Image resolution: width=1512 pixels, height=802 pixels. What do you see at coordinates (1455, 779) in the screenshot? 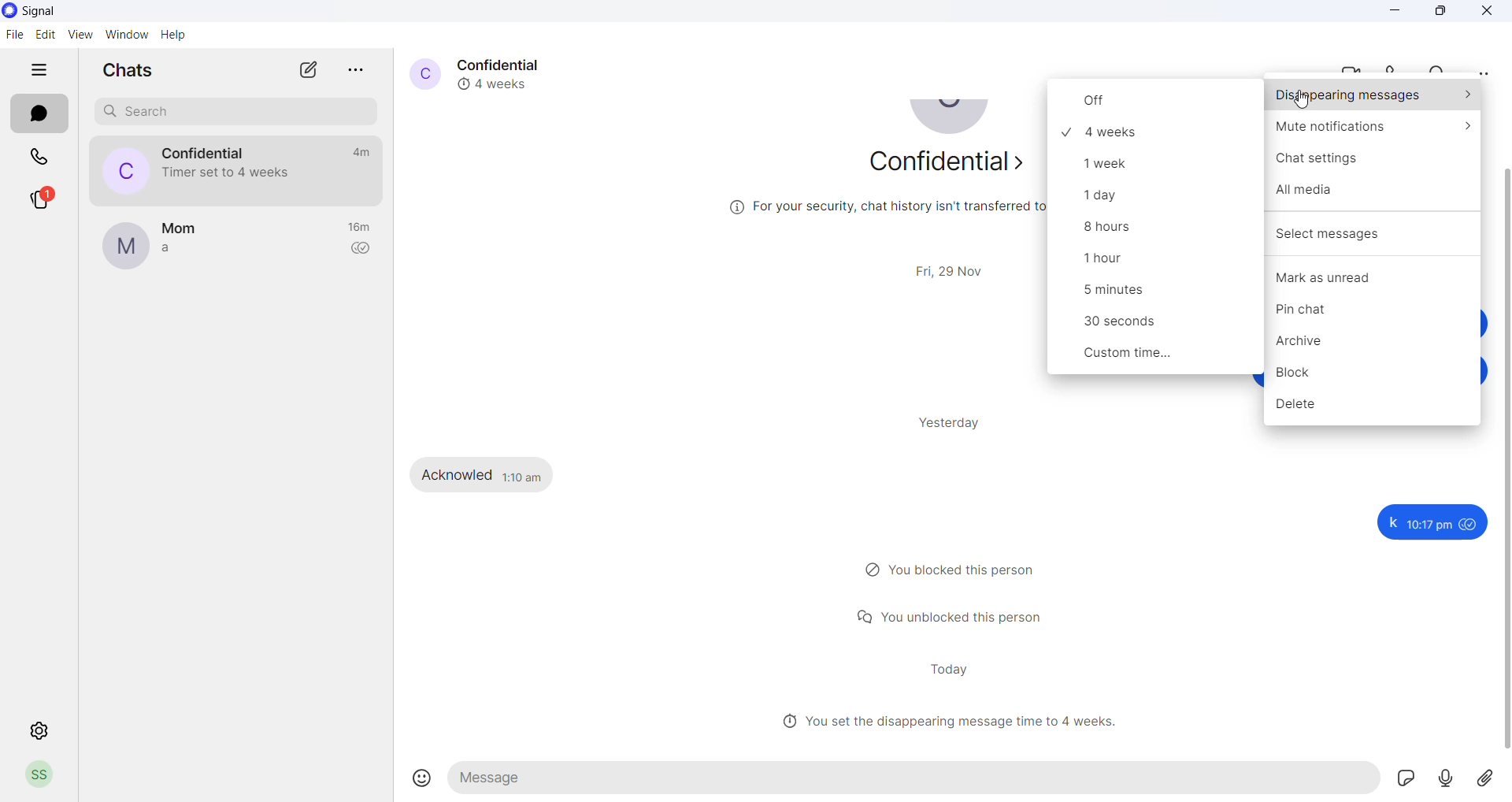
I see `voice recorder` at bounding box center [1455, 779].